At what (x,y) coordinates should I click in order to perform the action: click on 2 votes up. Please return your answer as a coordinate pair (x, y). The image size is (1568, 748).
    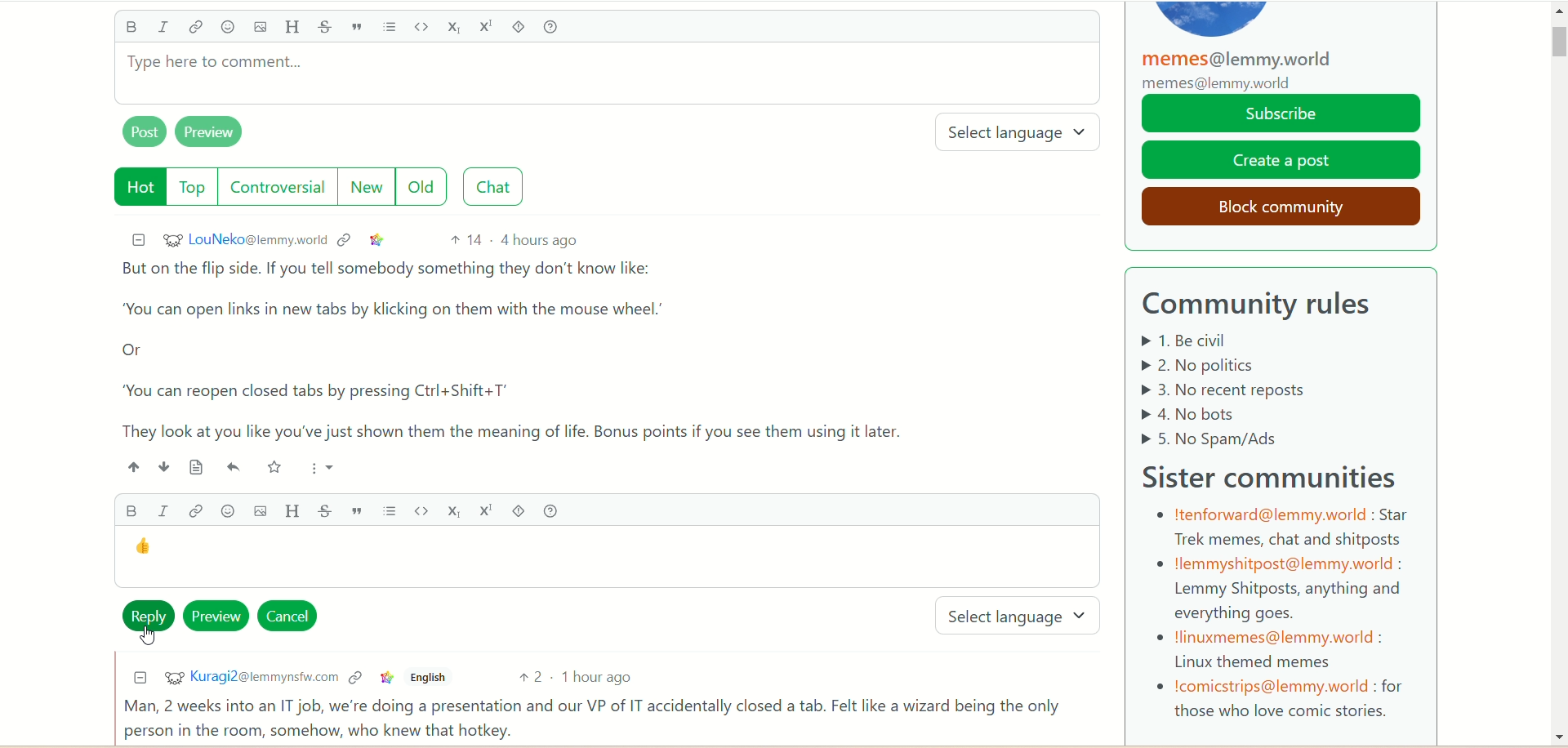
    Looking at the image, I should click on (537, 678).